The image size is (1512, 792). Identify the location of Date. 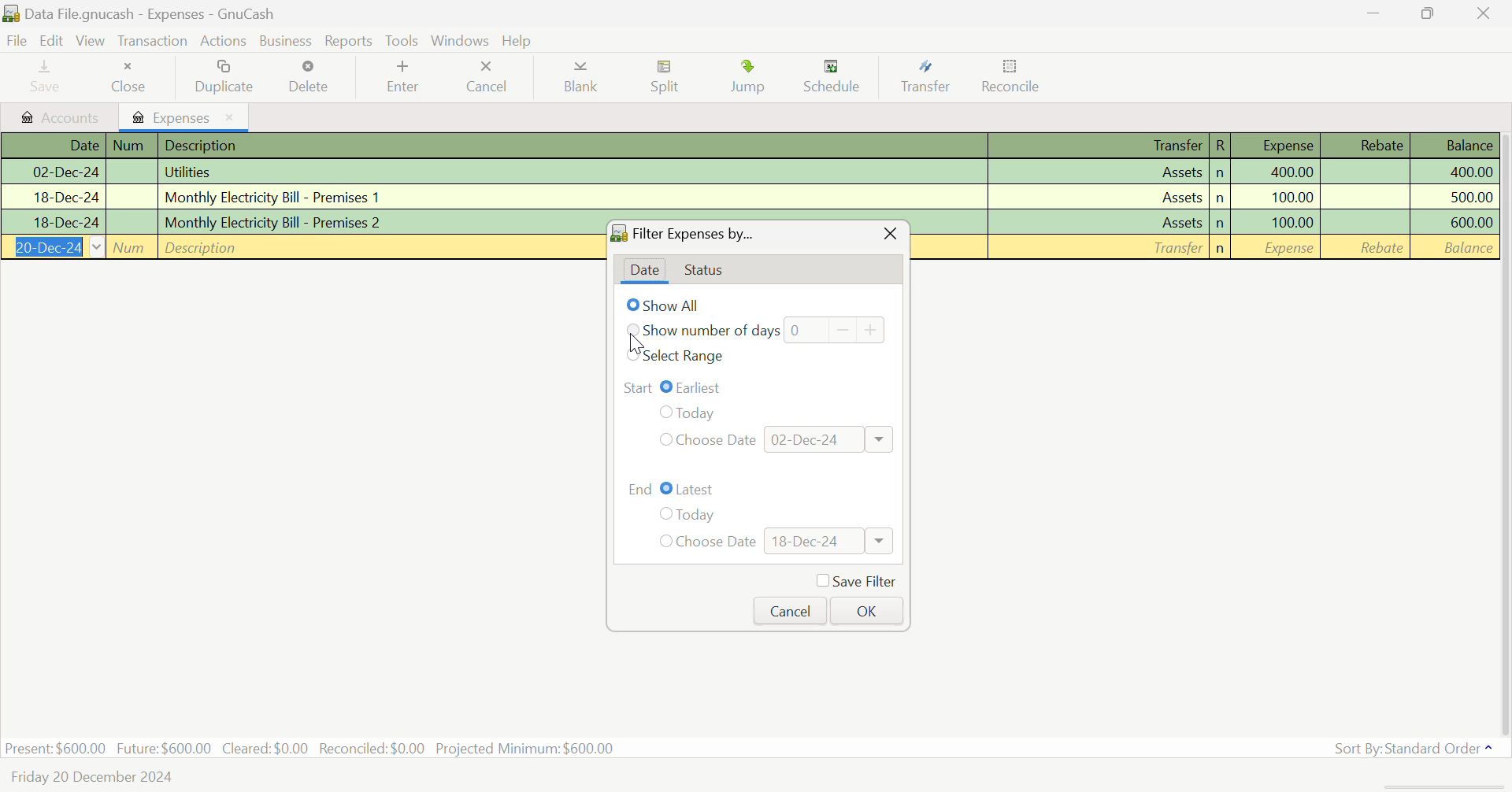
(53, 146).